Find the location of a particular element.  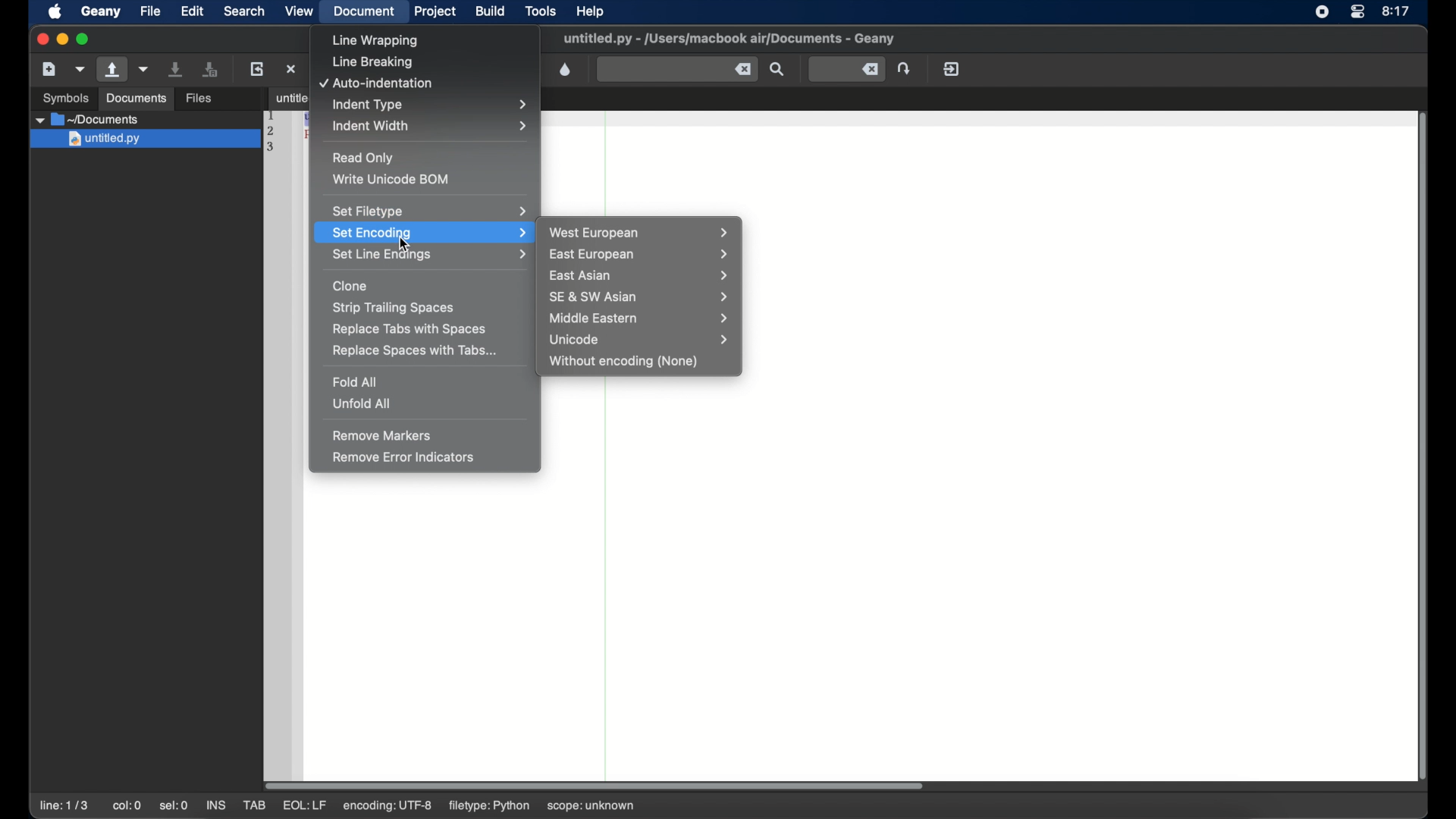

ins is located at coordinates (215, 805).